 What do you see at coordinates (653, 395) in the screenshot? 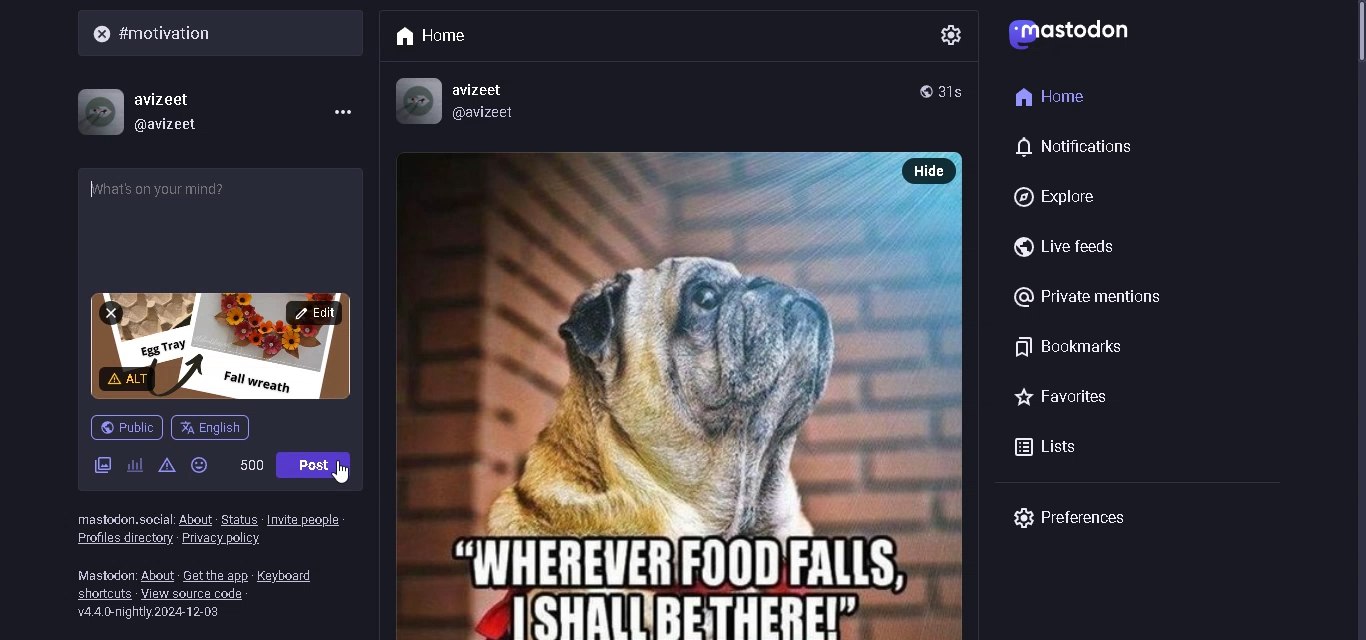
I see `post with image` at bounding box center [653, 395].